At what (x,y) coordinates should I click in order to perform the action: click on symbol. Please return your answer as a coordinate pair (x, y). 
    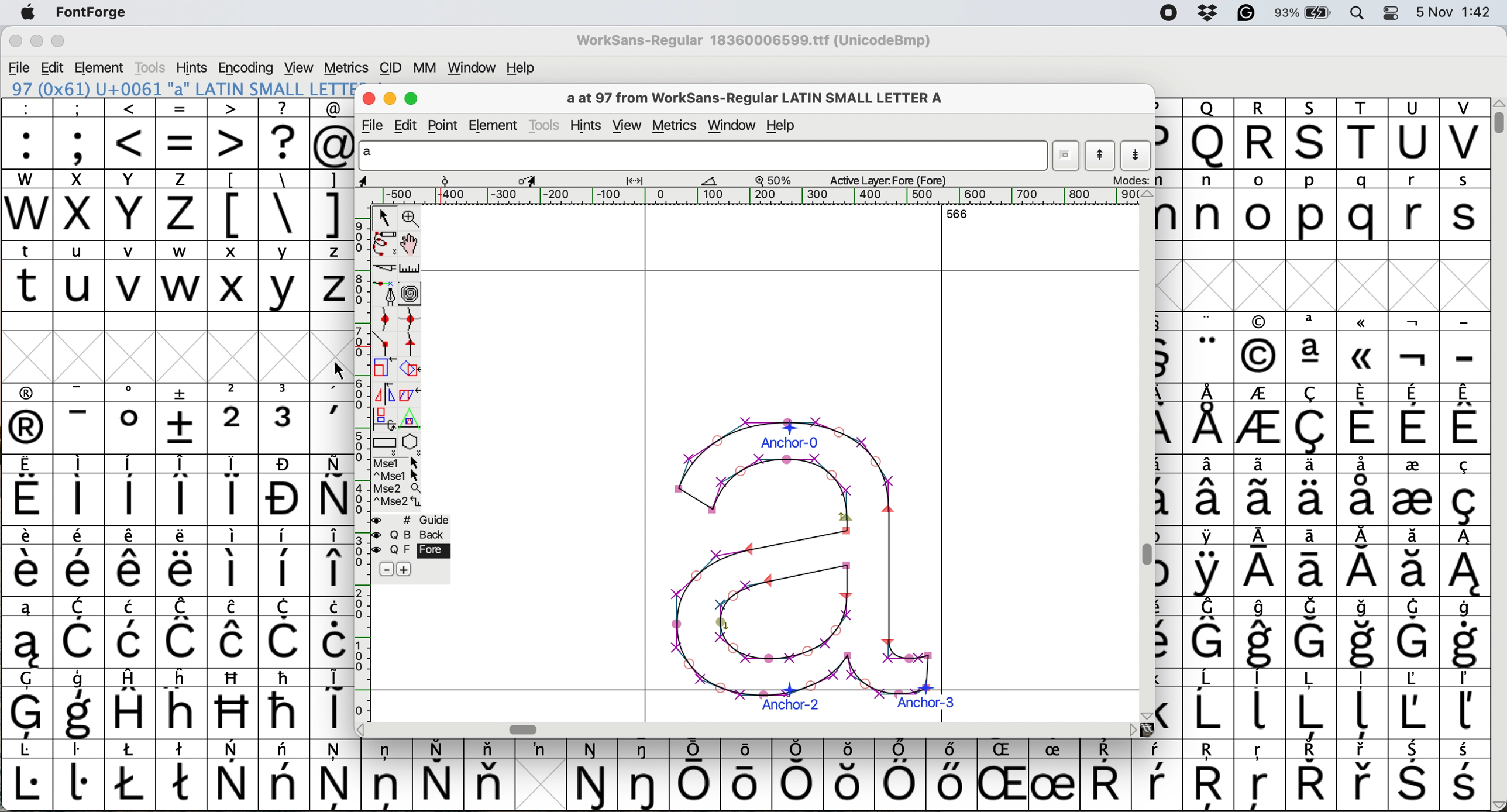
    Looking at the image, I should click on (1466, 776).